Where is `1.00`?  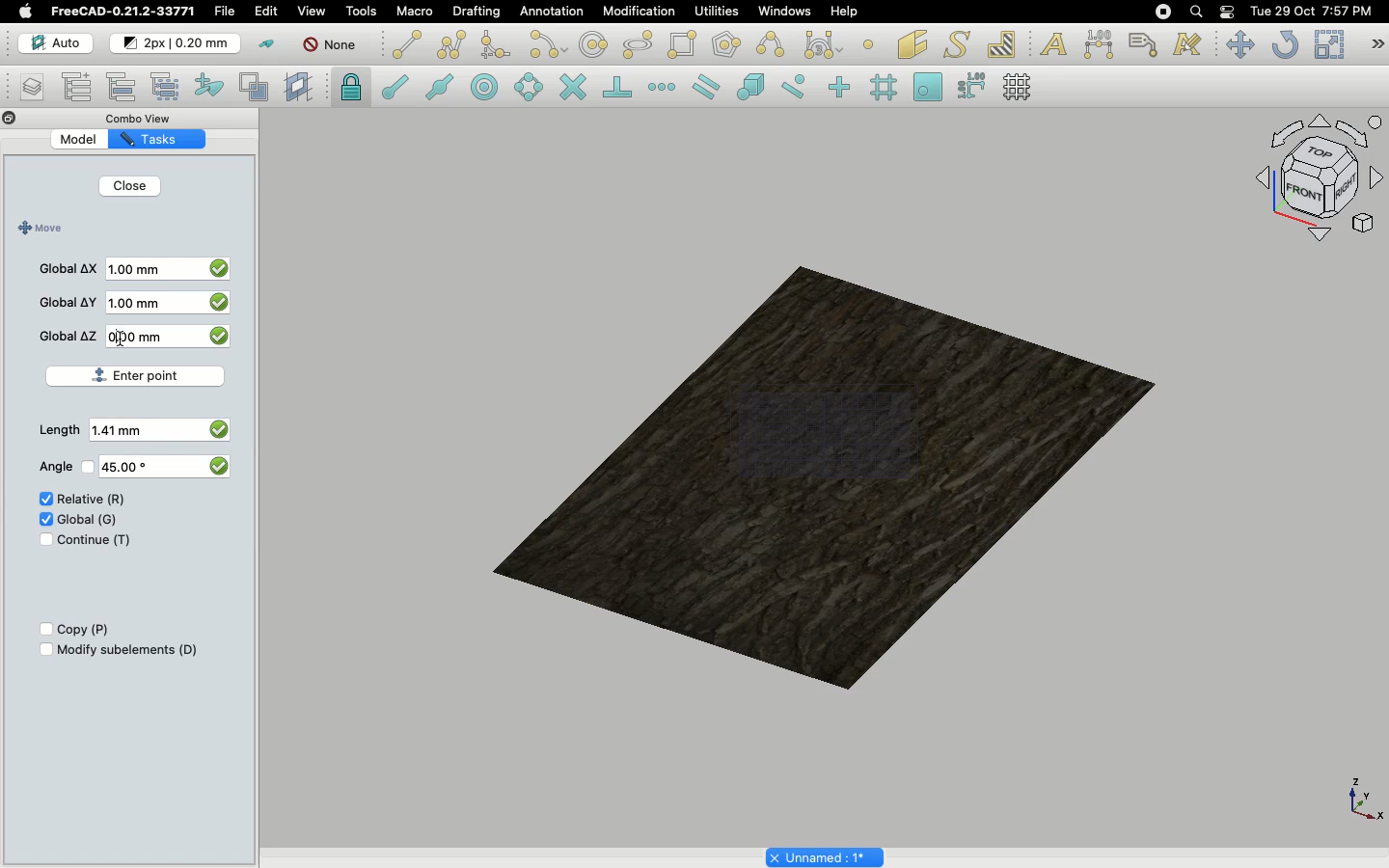 1.00 is located at coordinates (139, 271).